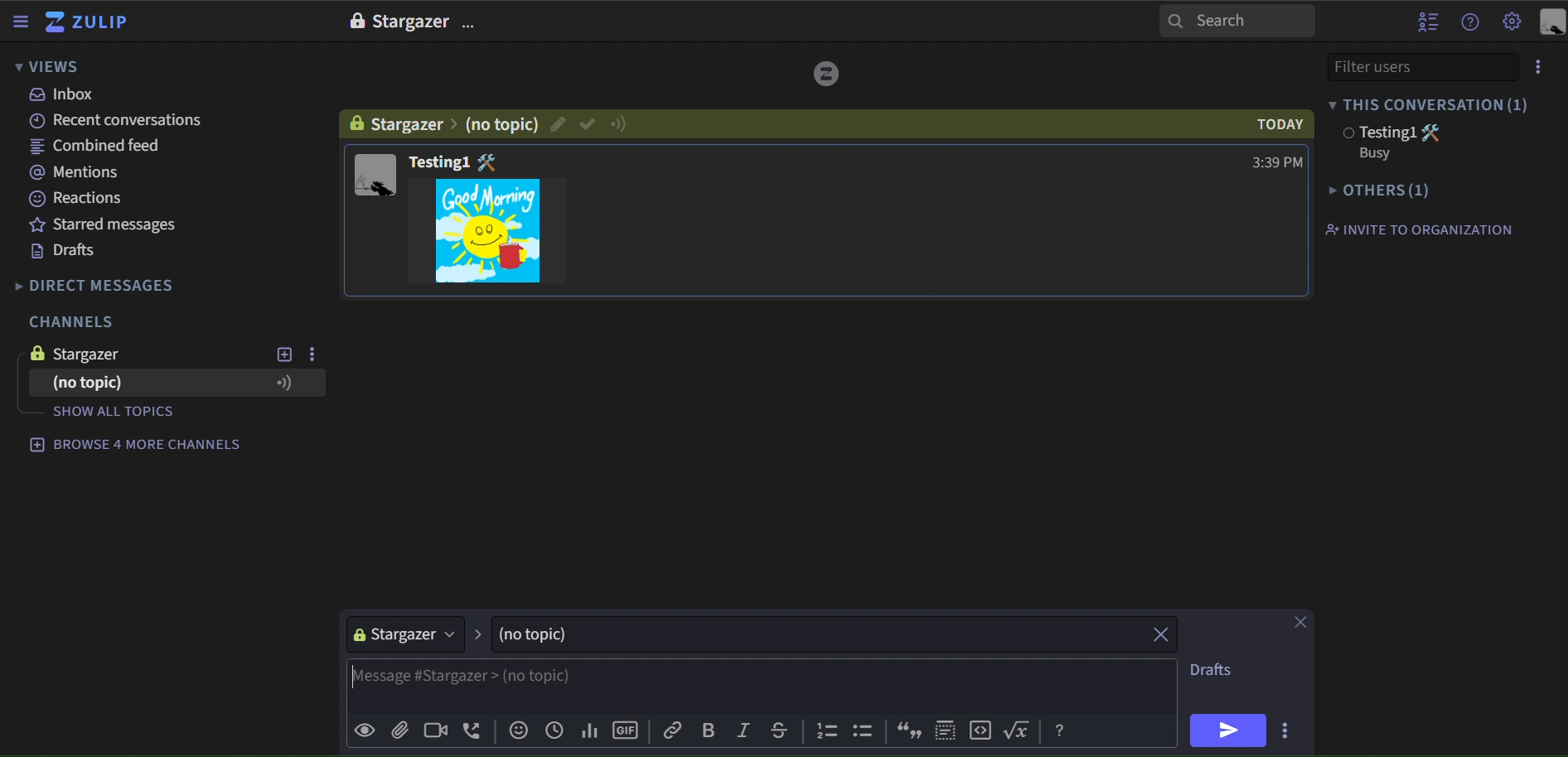  Describe the element at coordinates (829, 732) in the screenshot. I see `listing` at that location.